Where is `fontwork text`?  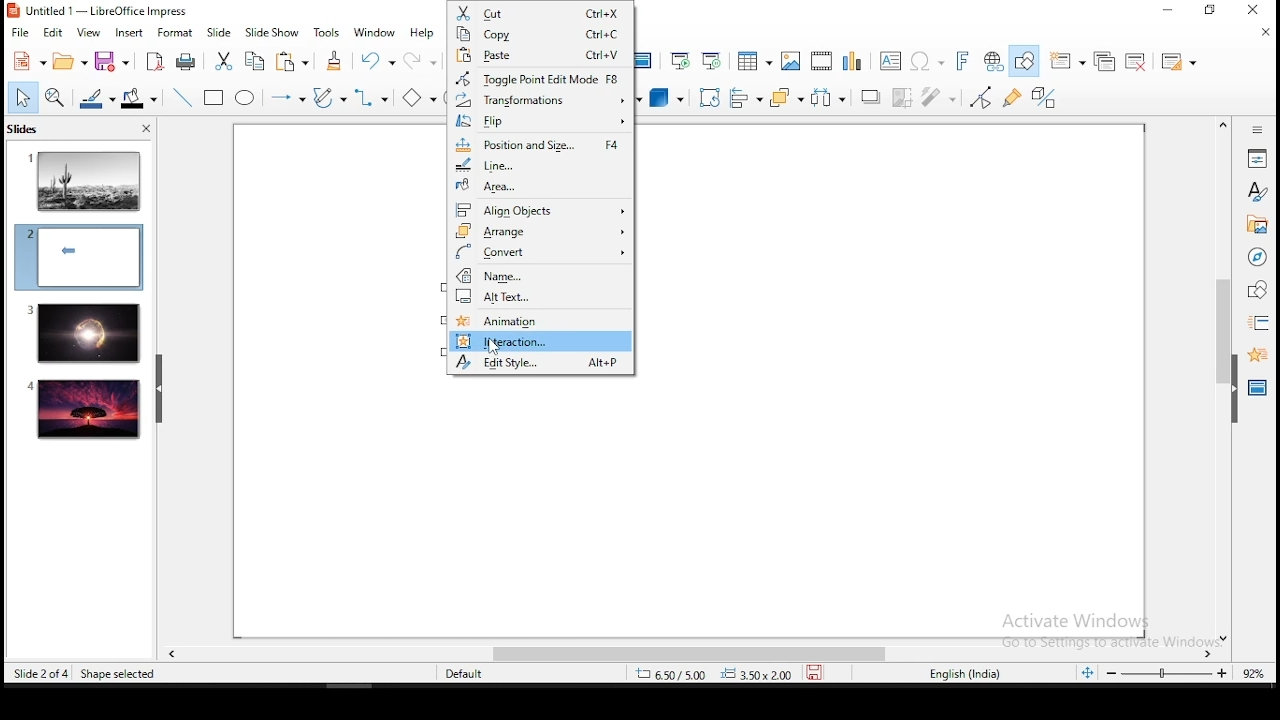
fontwork text is located at coordinates (961, 62).